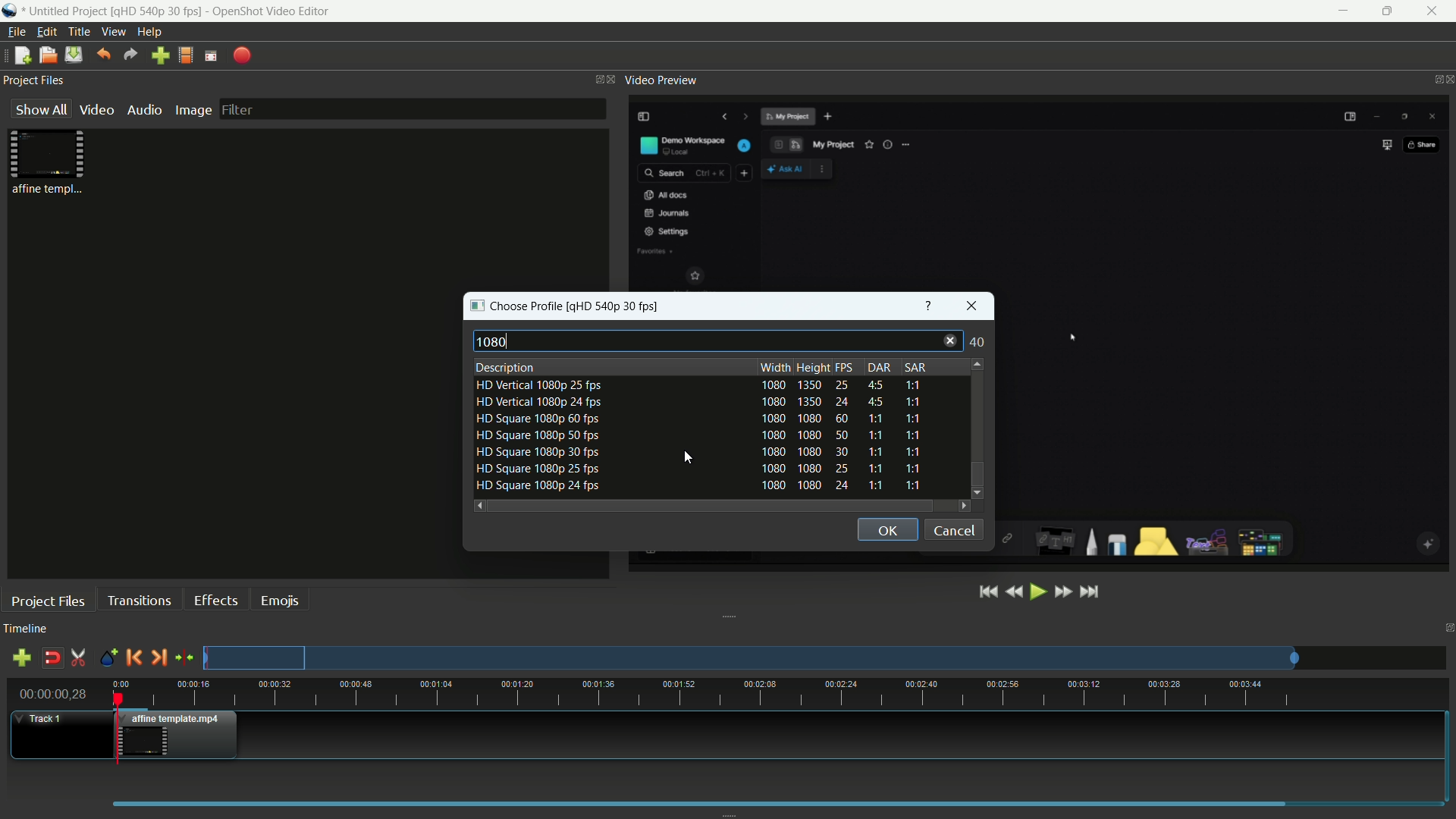  I want to click on choose profile, so click(517, 306).